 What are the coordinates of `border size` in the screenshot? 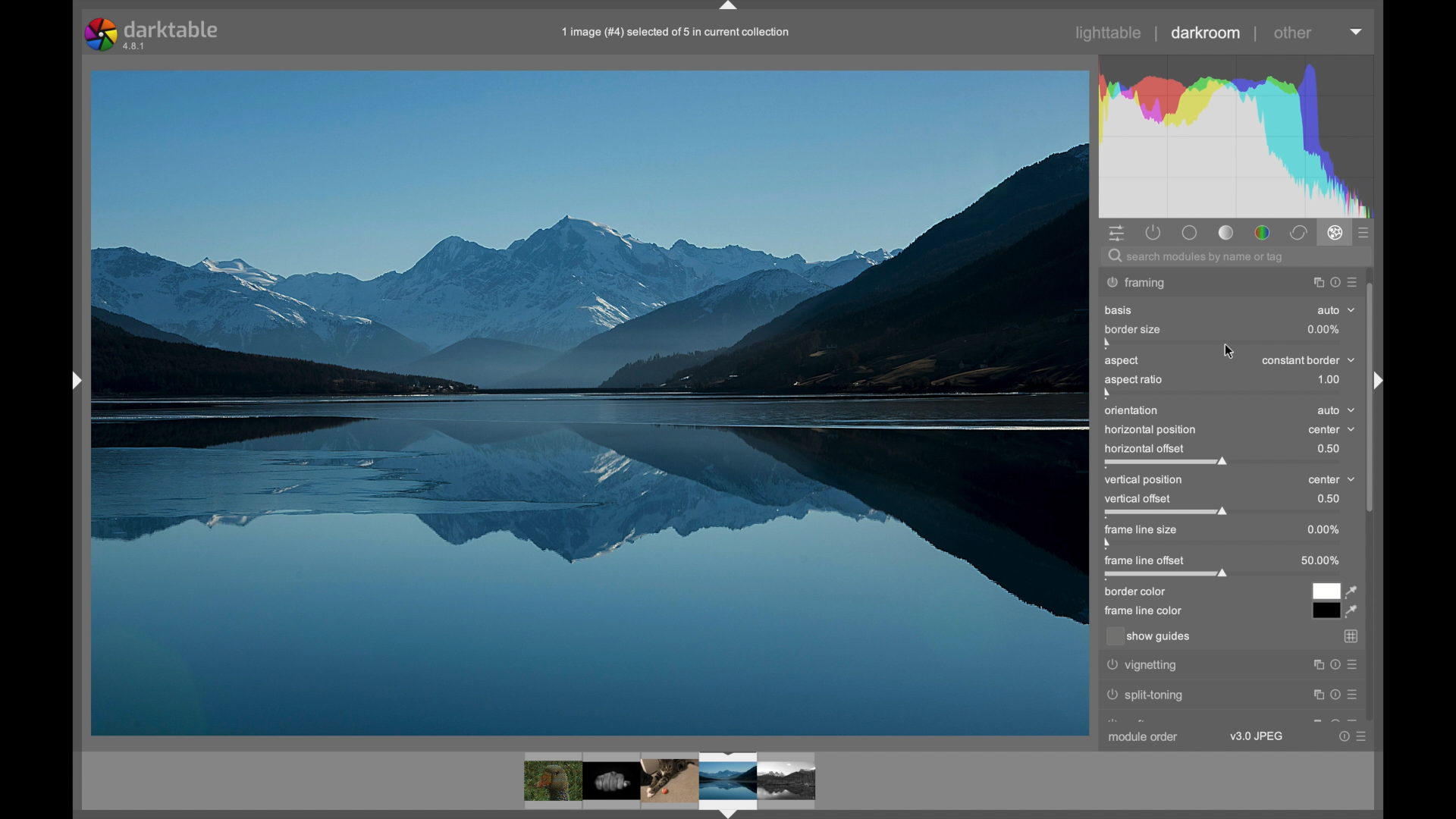 It's located at (1136, 337).